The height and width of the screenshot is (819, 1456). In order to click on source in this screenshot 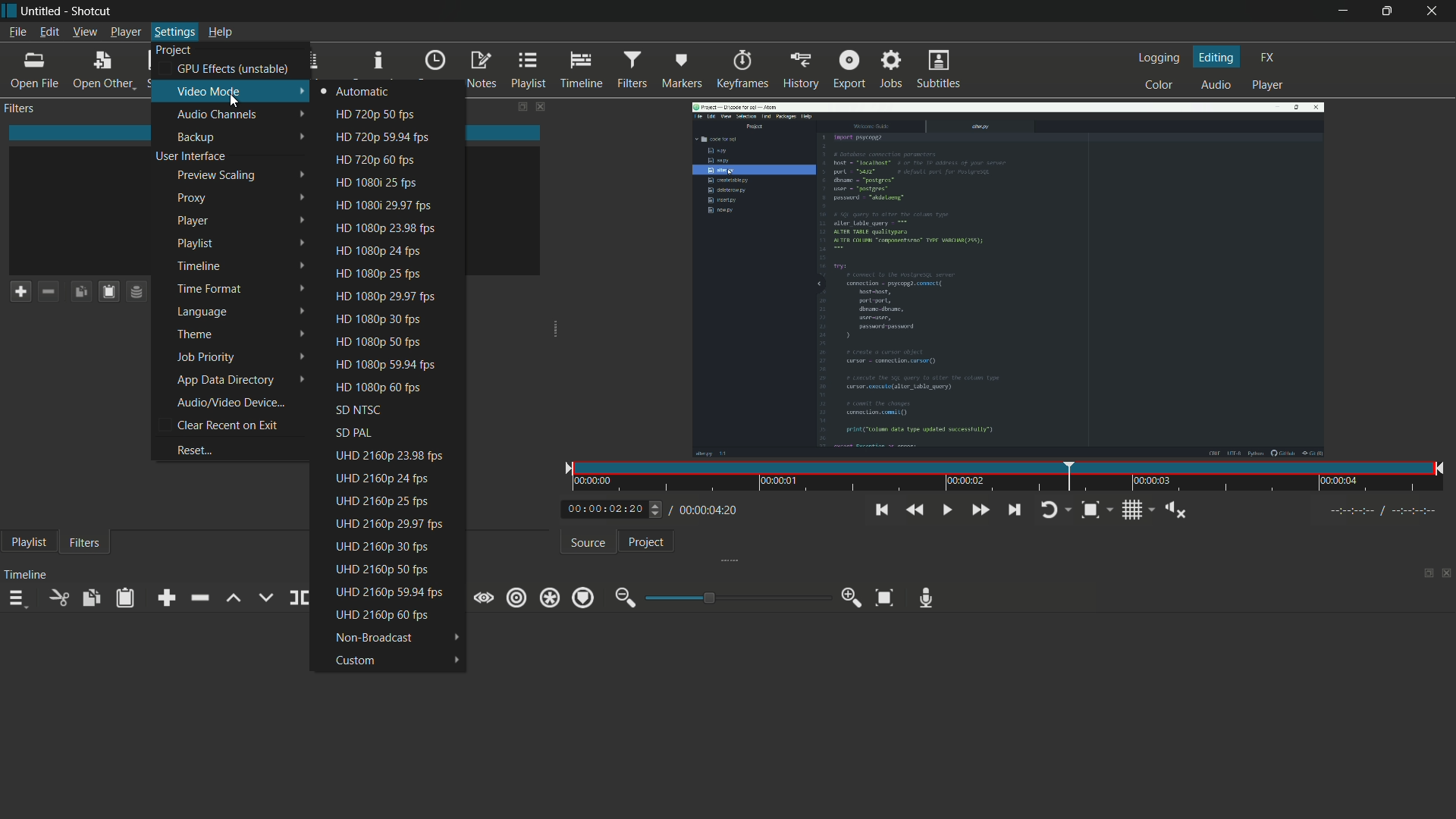, I will do `click(588, 542)`.